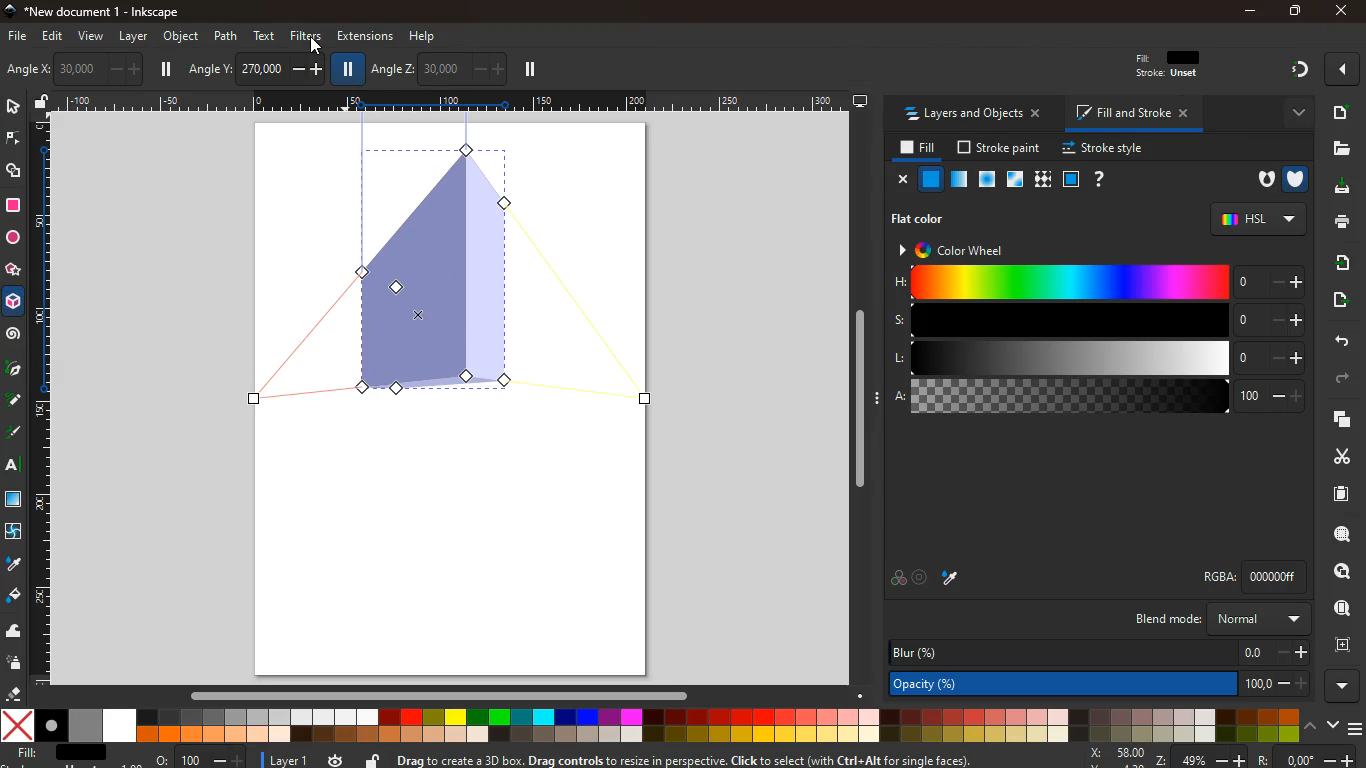 The width and height of the screenshot is (1366, 768). I want to click on filters, so click(302, 37).